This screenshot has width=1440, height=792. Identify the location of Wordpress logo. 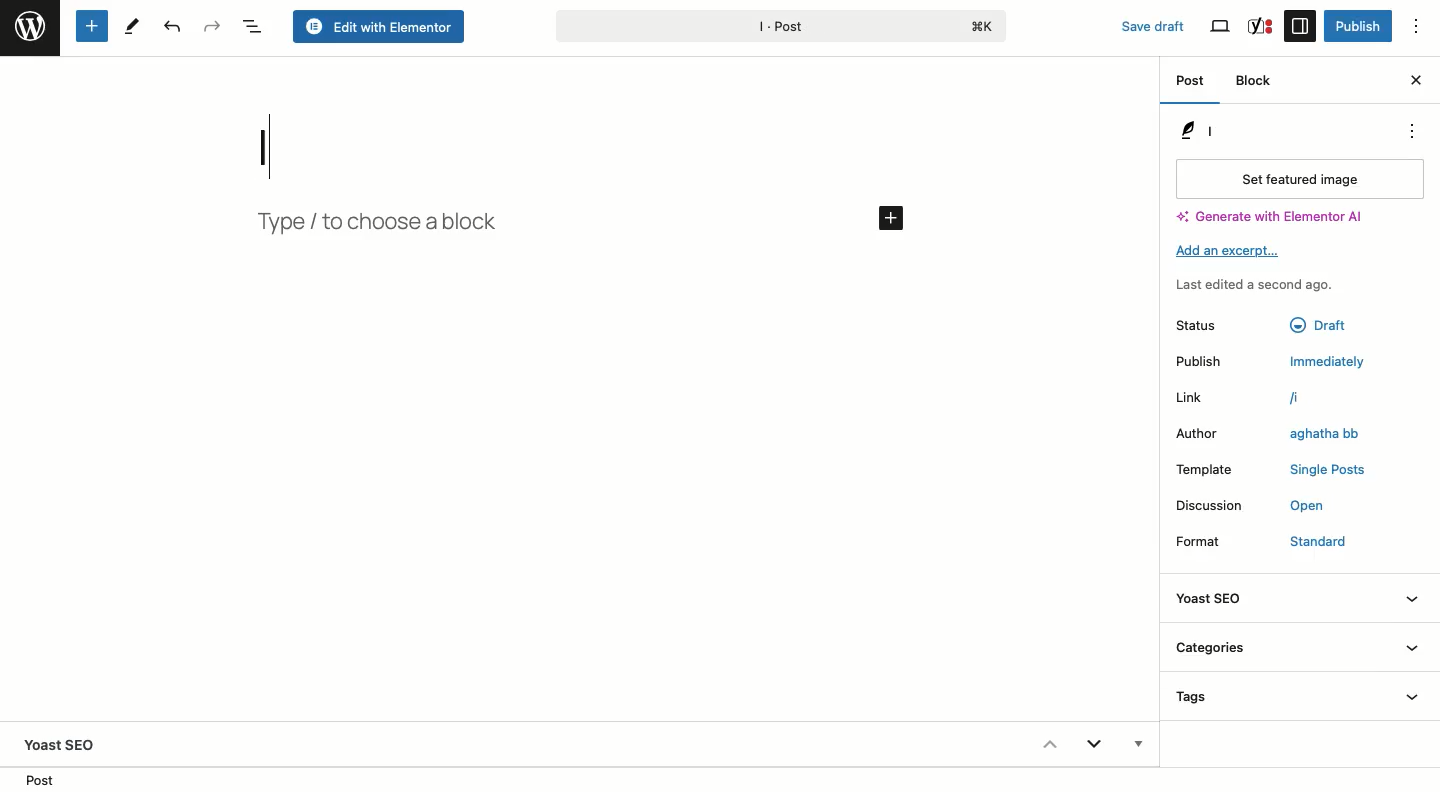
(30, 27).